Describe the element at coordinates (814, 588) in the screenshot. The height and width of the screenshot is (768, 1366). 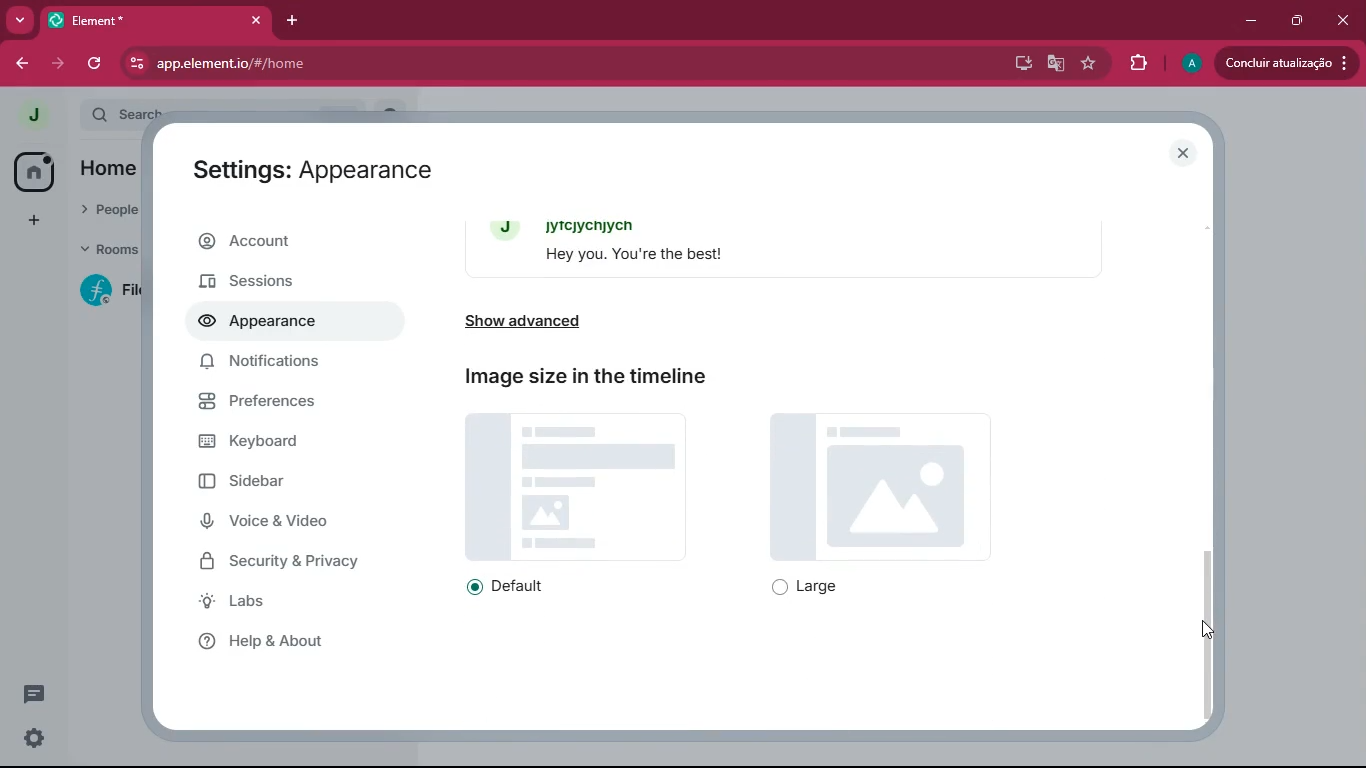
I see `large` at that location.